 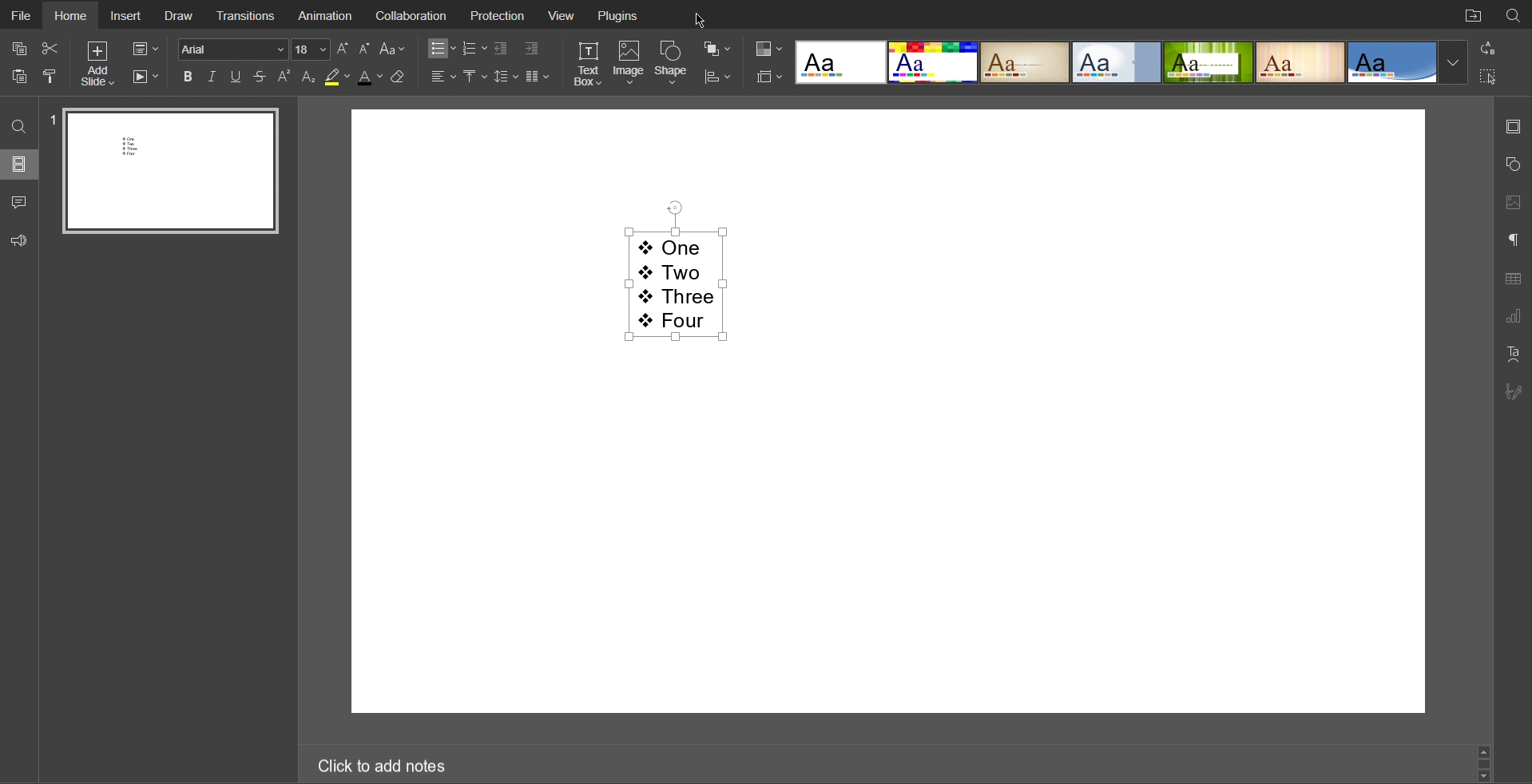 I want to click on Protection, so click(x=495, y=14).